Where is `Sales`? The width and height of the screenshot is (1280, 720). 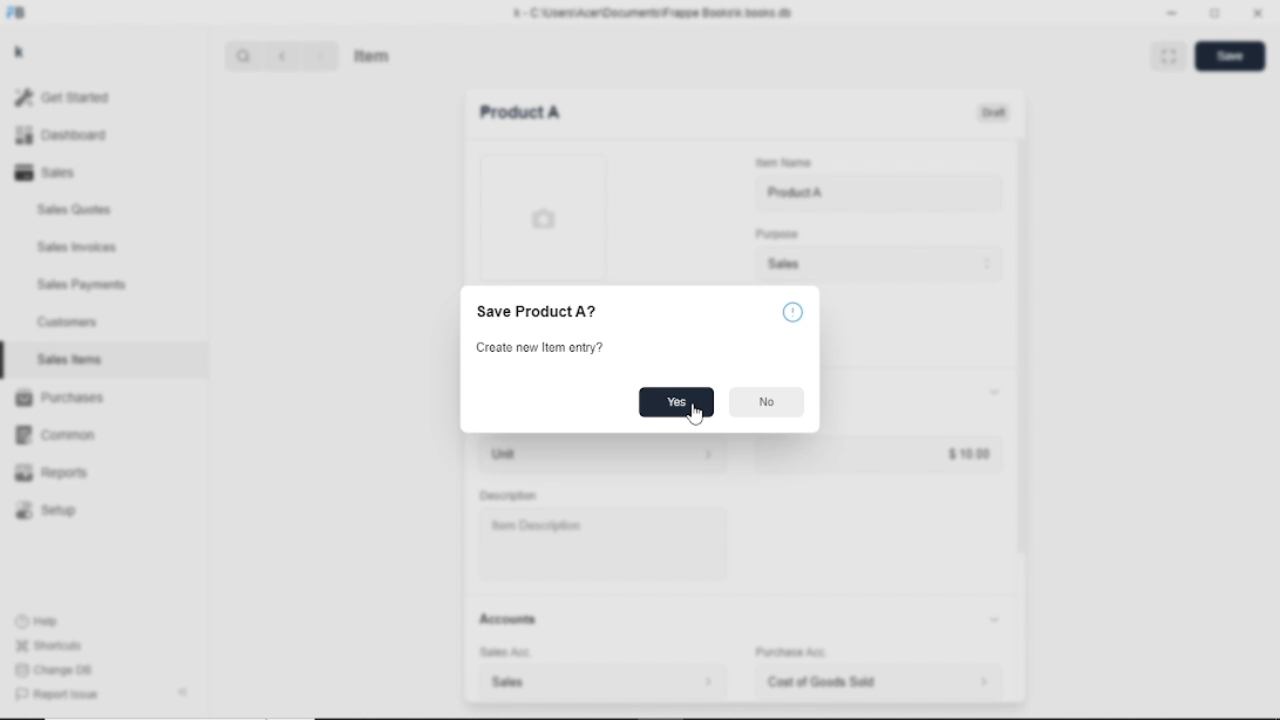 Sales is located at coordinates (877, 264).